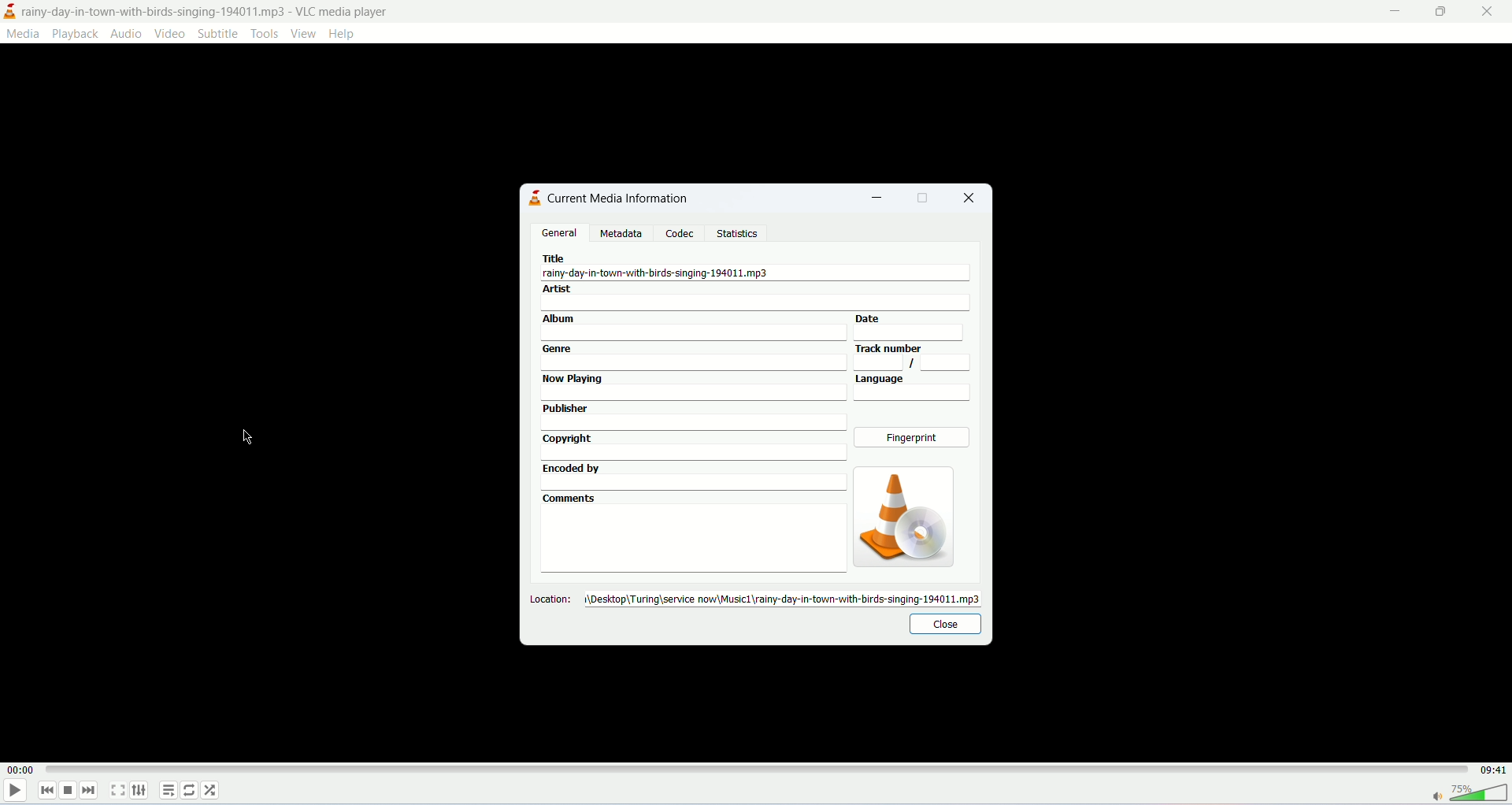 Image resolution: width=1512 pixels, height=805 pixels. I want to click on next, so click(91, 790).